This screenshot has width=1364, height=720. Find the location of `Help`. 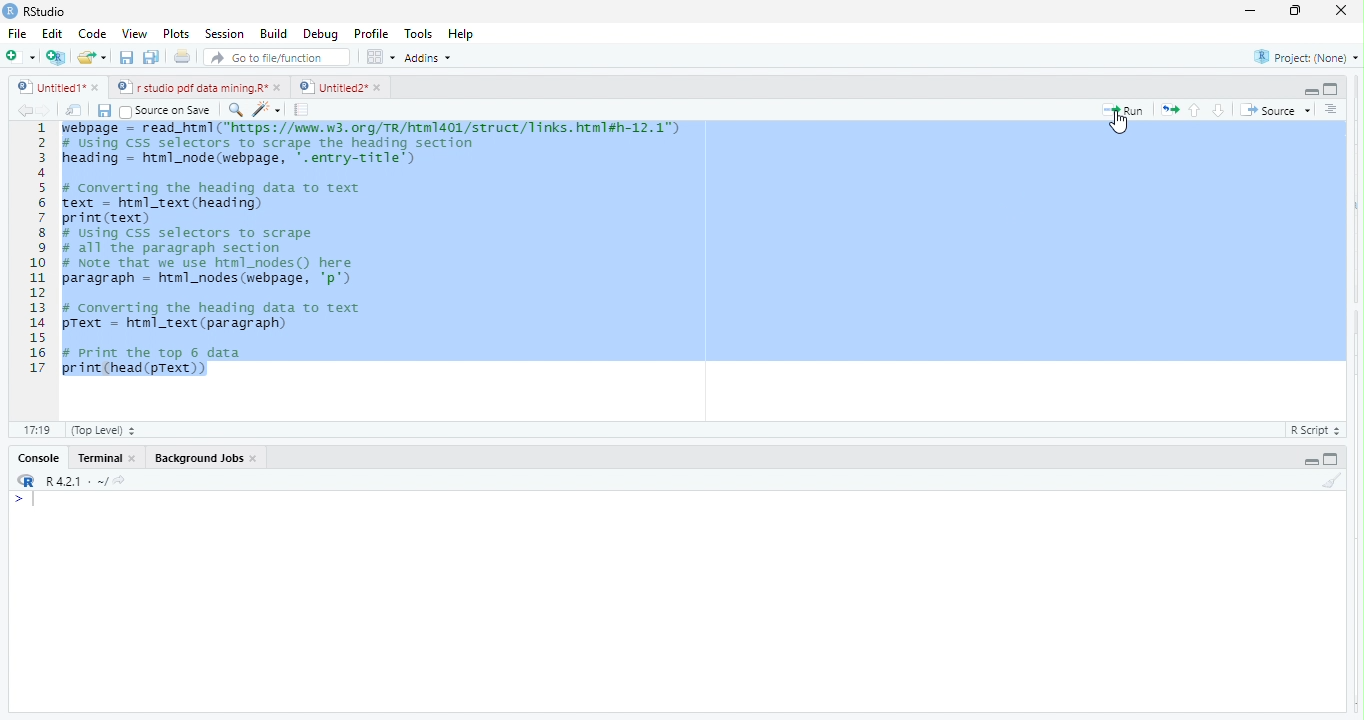

Help is located at coordinates (462, 34).